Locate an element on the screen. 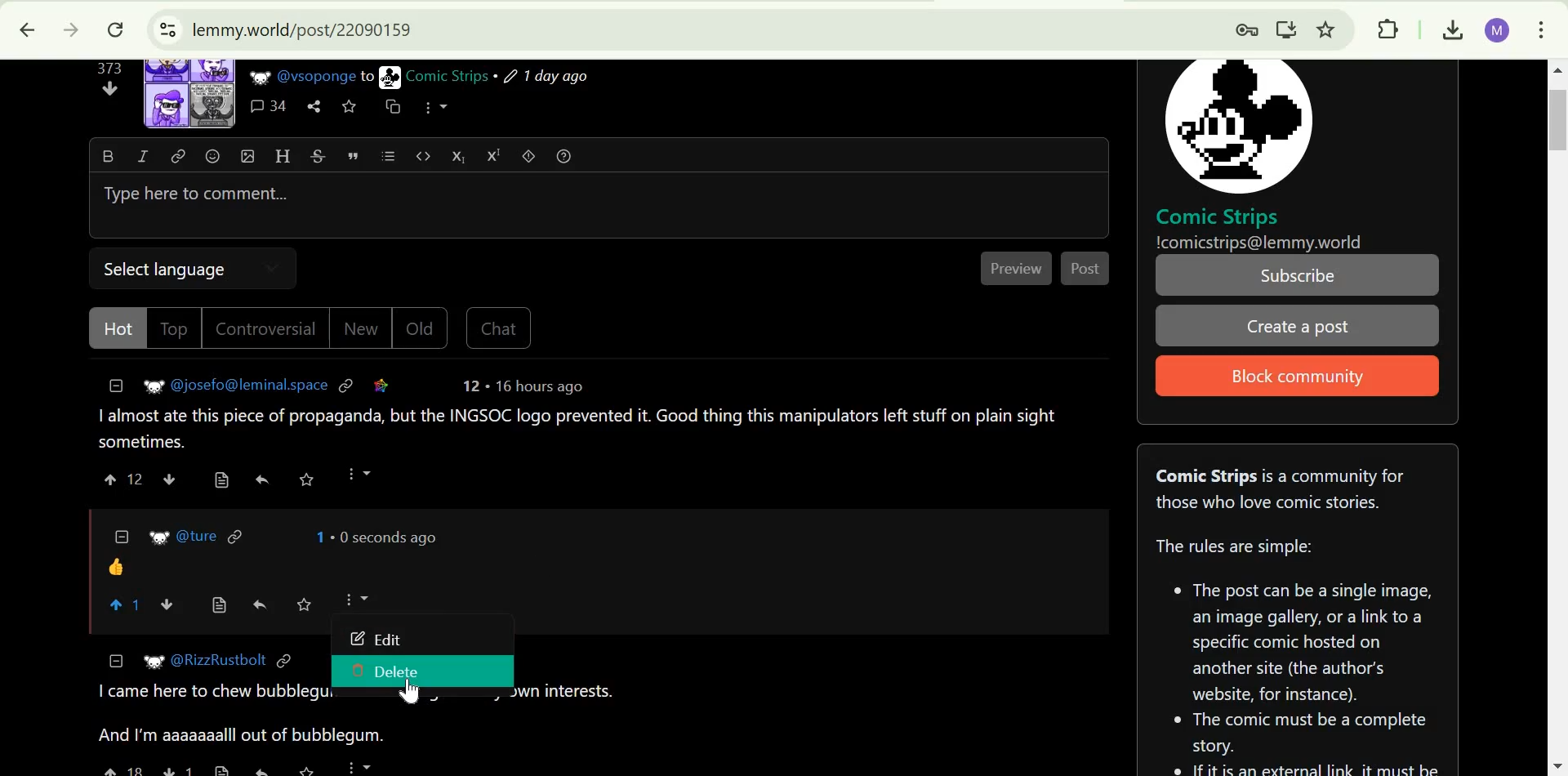  Save is located at coordinates (349, 107).